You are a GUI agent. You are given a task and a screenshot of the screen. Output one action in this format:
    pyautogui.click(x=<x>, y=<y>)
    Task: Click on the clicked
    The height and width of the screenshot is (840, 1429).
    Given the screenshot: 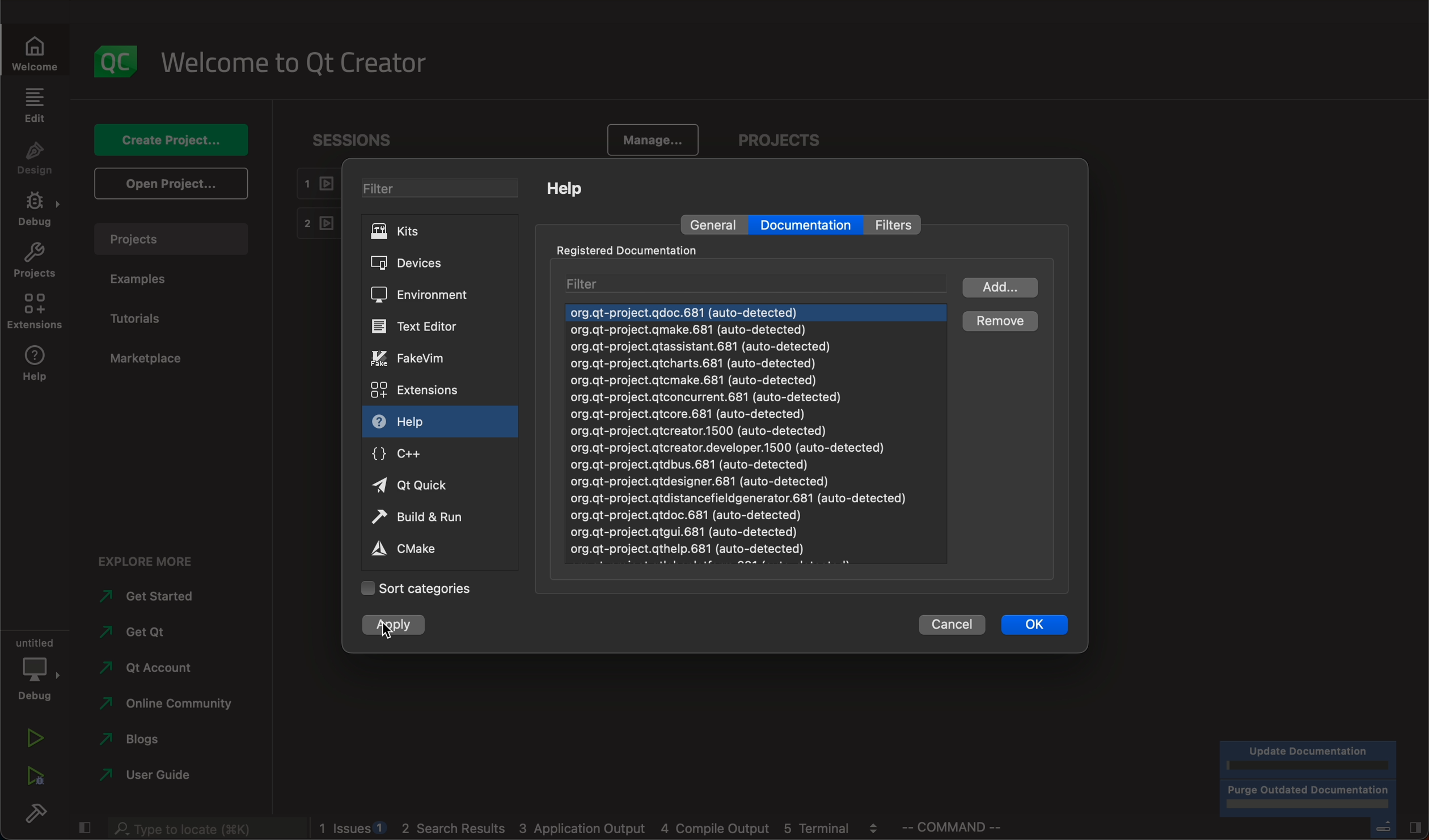 What is the action you would take?
    pyautogui.click(x=999, y=323)
    